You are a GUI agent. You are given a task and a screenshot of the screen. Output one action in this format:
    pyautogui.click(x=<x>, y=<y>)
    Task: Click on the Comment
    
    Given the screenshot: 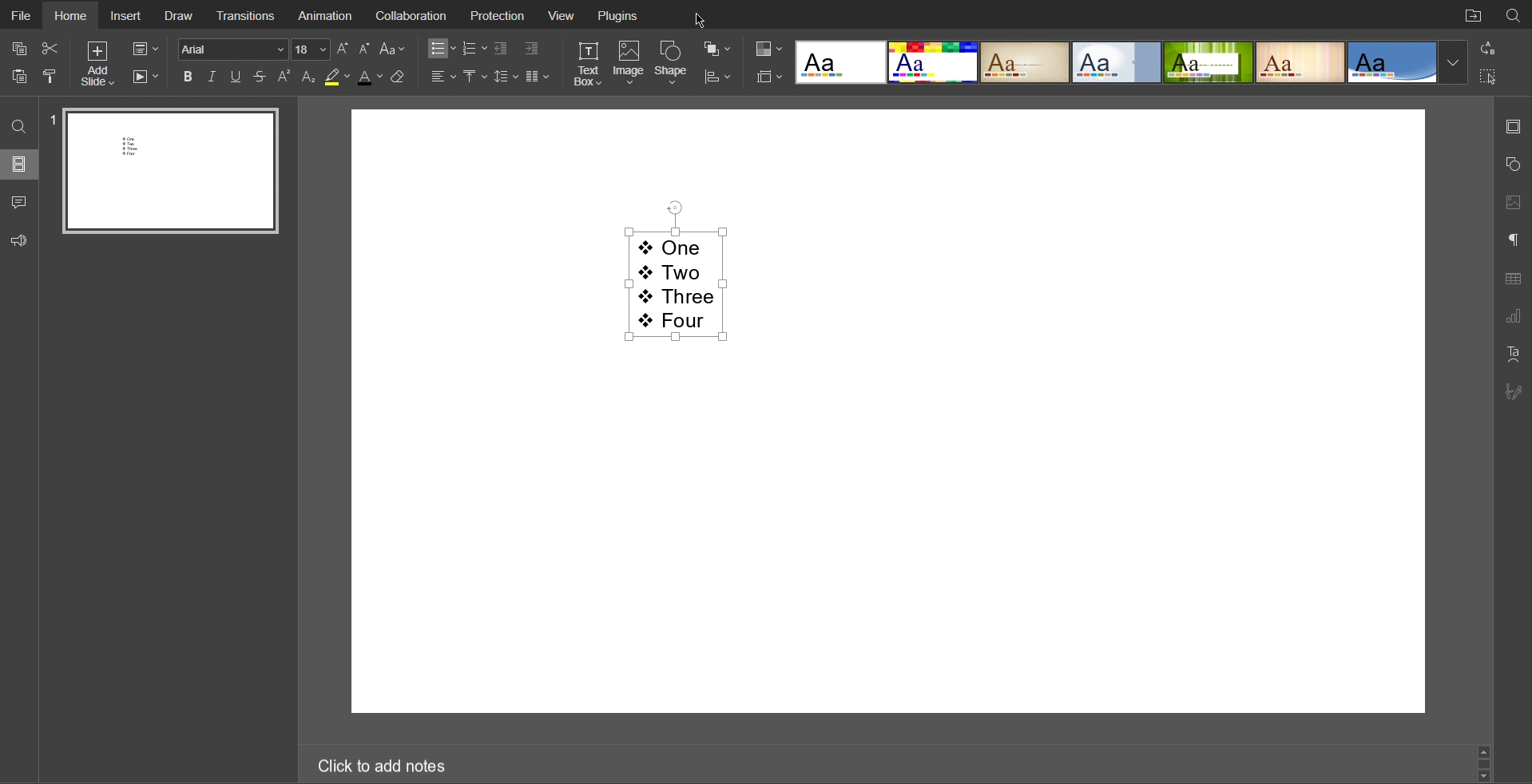 What is the action you would take?
    pyautogui.click(x=20, y=202)
    